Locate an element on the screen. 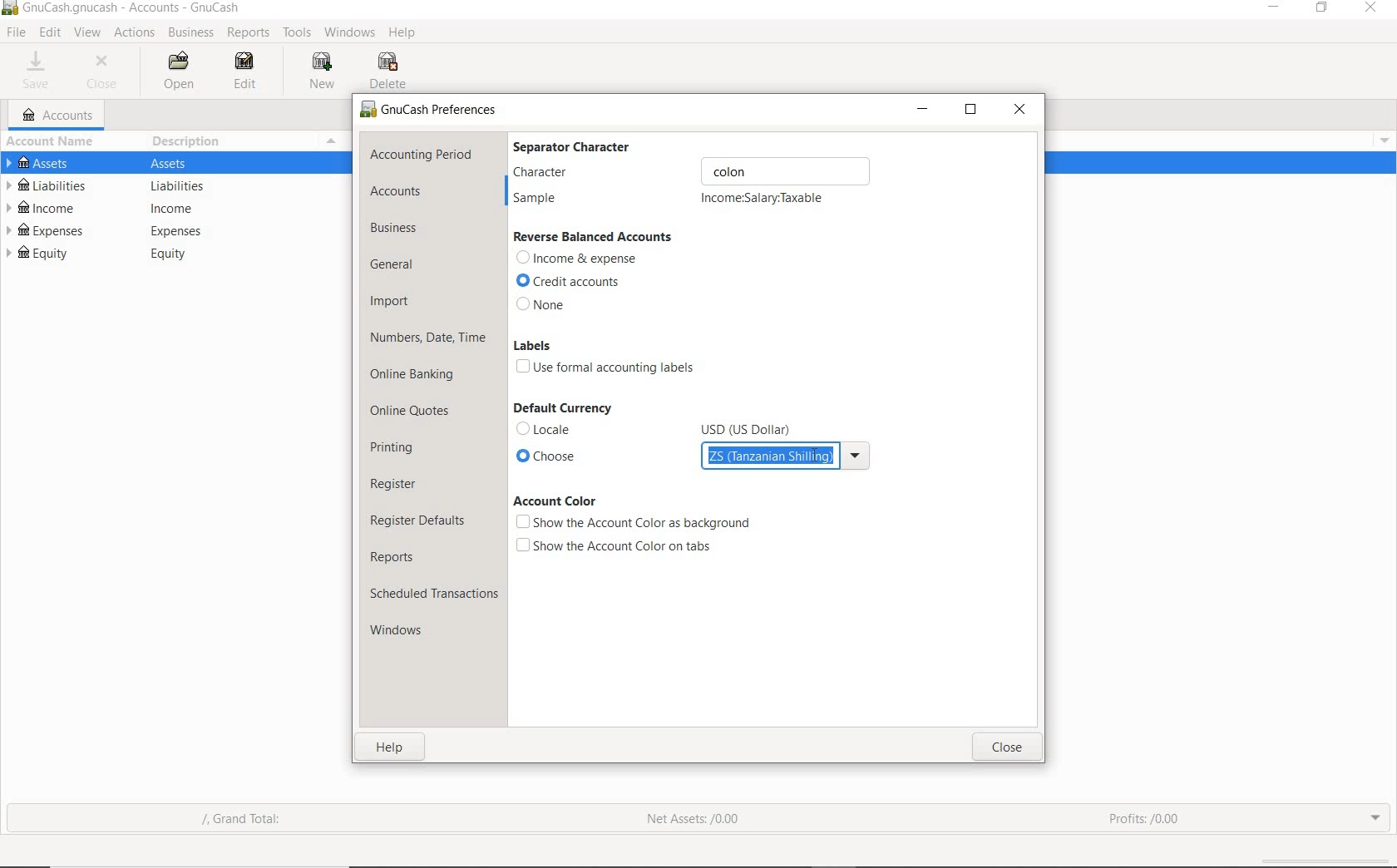 Image resolution: width=1397 pixels, height=868 pixels. INCOME is located at coordinates (49, 208).